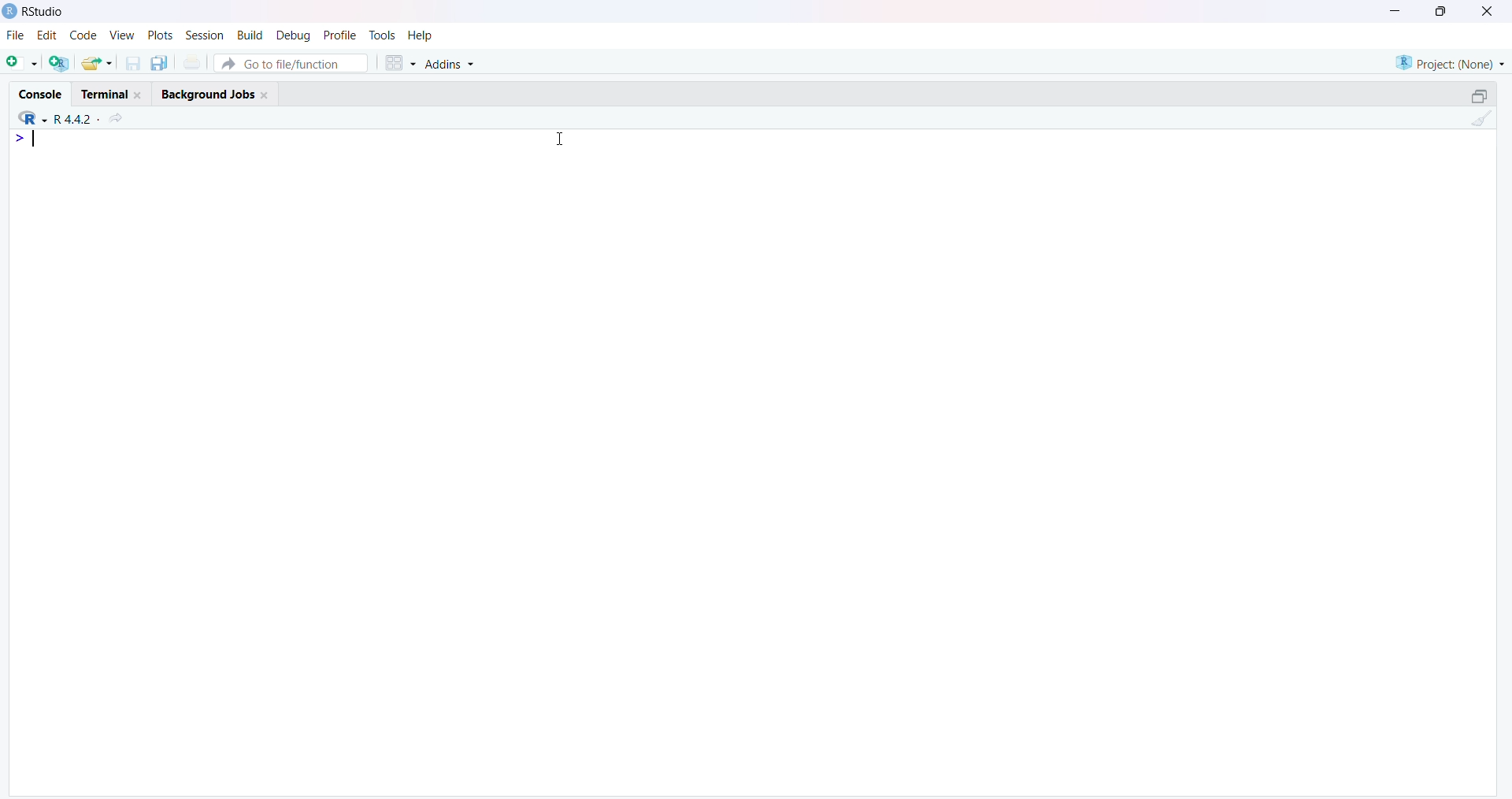 The width and height of the screenshot is (1512, 799). What do you see at coordinates (80, 38) in the screenshot?
I see `Code` at bounding box center [80, 38].